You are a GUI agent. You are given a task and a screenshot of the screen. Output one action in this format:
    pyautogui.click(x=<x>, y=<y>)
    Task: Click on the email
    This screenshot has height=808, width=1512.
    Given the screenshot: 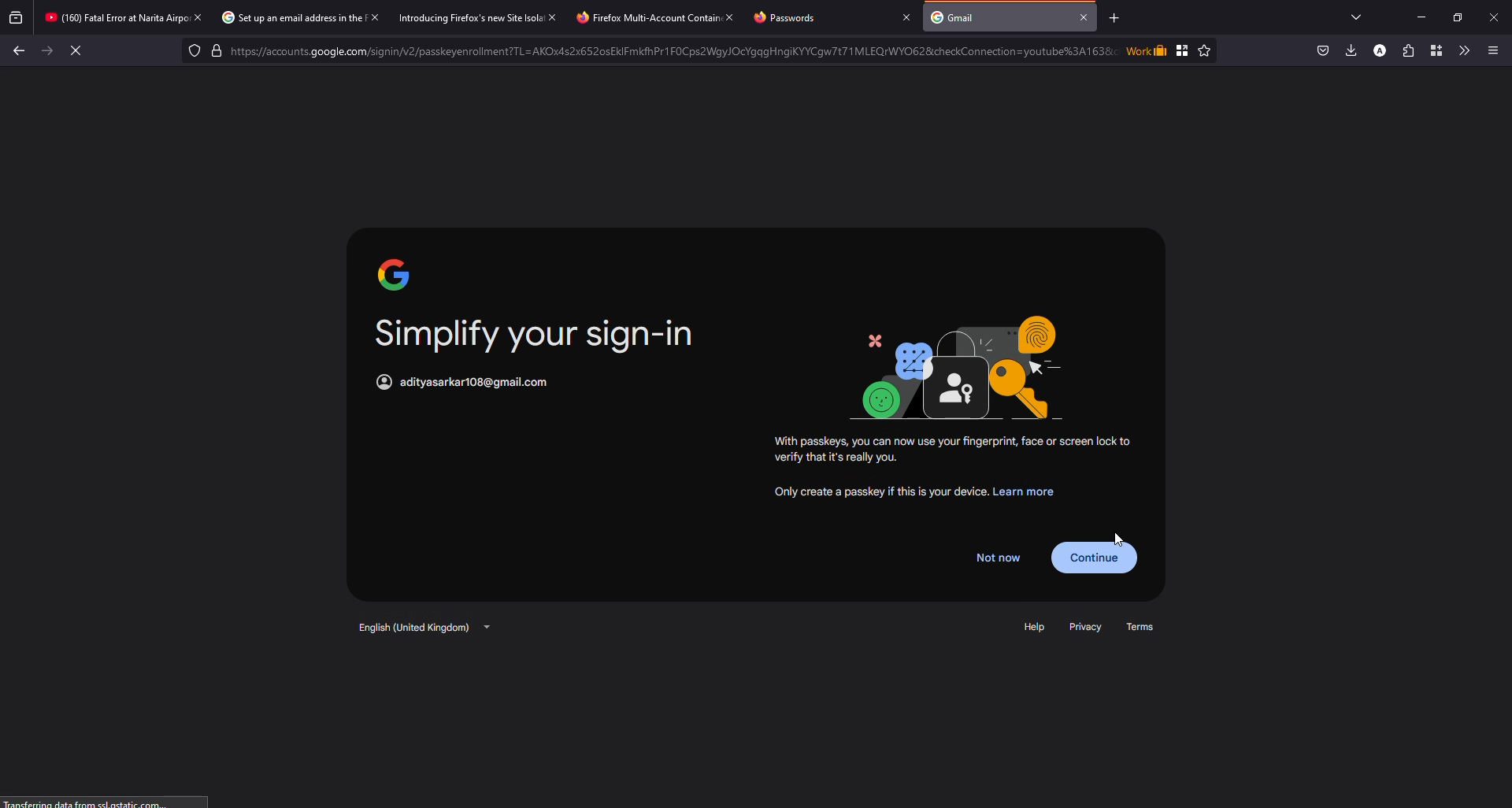 What is the action you would take?
    pyautogui.click(x=480, y=382)
    